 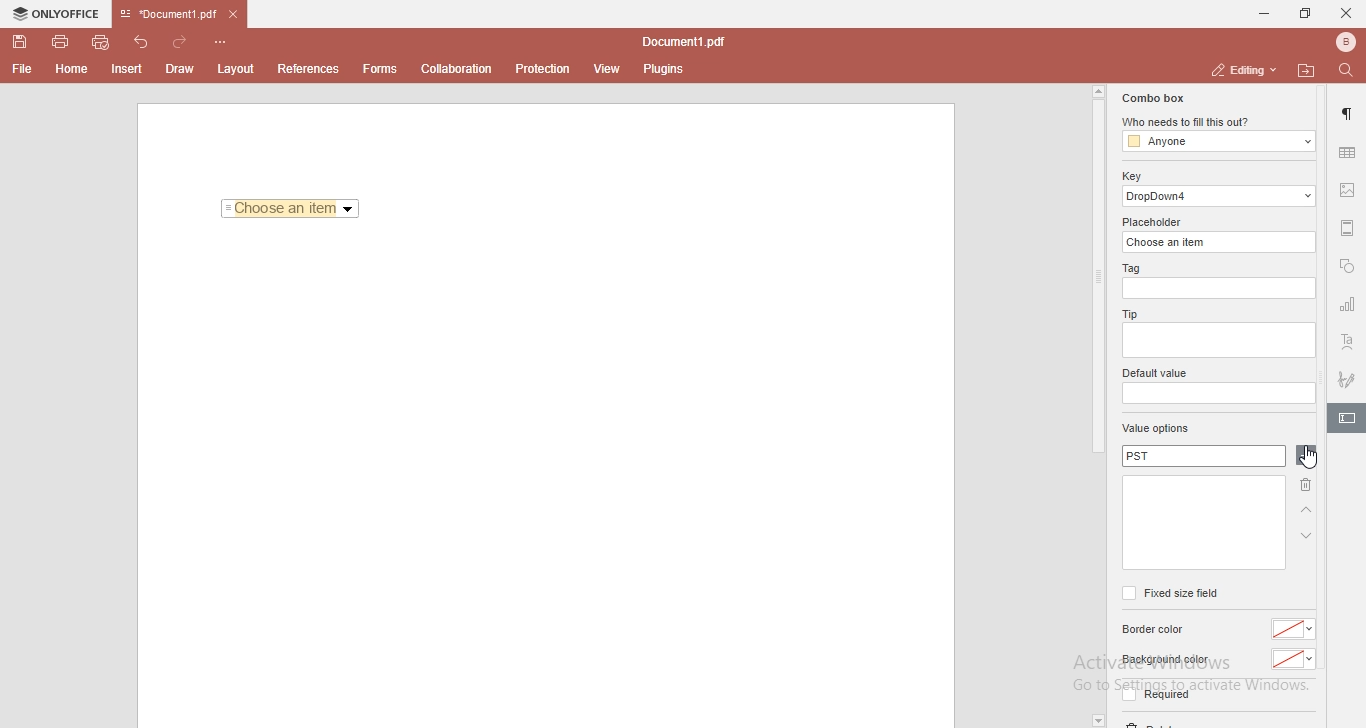 What do you see at coordinates (1307, 511) in the screenshot?
I see `arrow up` at bounding box center [1307, 511].